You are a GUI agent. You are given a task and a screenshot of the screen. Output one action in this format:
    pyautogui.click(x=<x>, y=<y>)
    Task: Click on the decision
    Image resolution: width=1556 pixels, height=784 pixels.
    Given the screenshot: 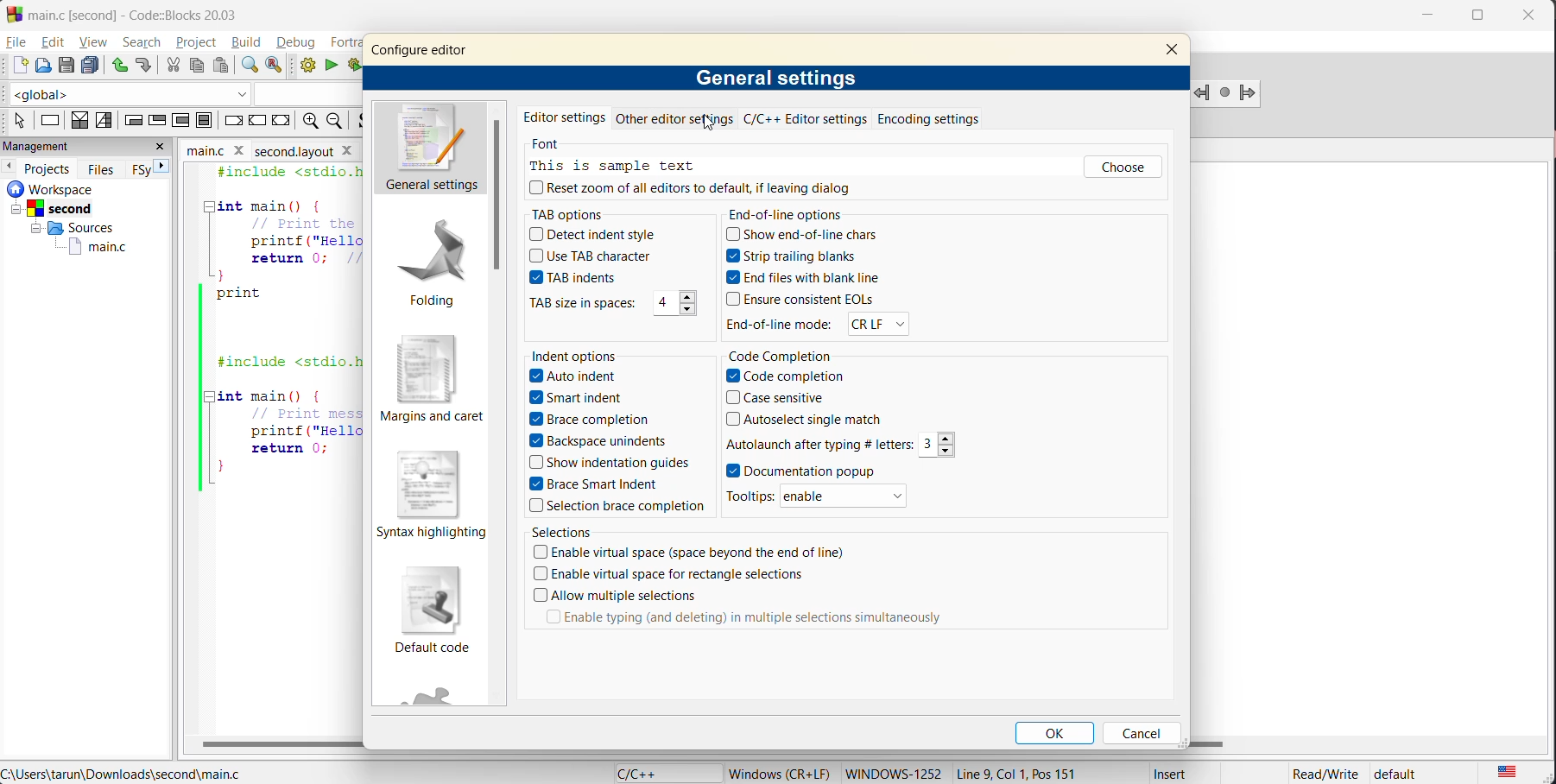 What is the action you would take?
    pyautogui.click(x=79, y=121)
    